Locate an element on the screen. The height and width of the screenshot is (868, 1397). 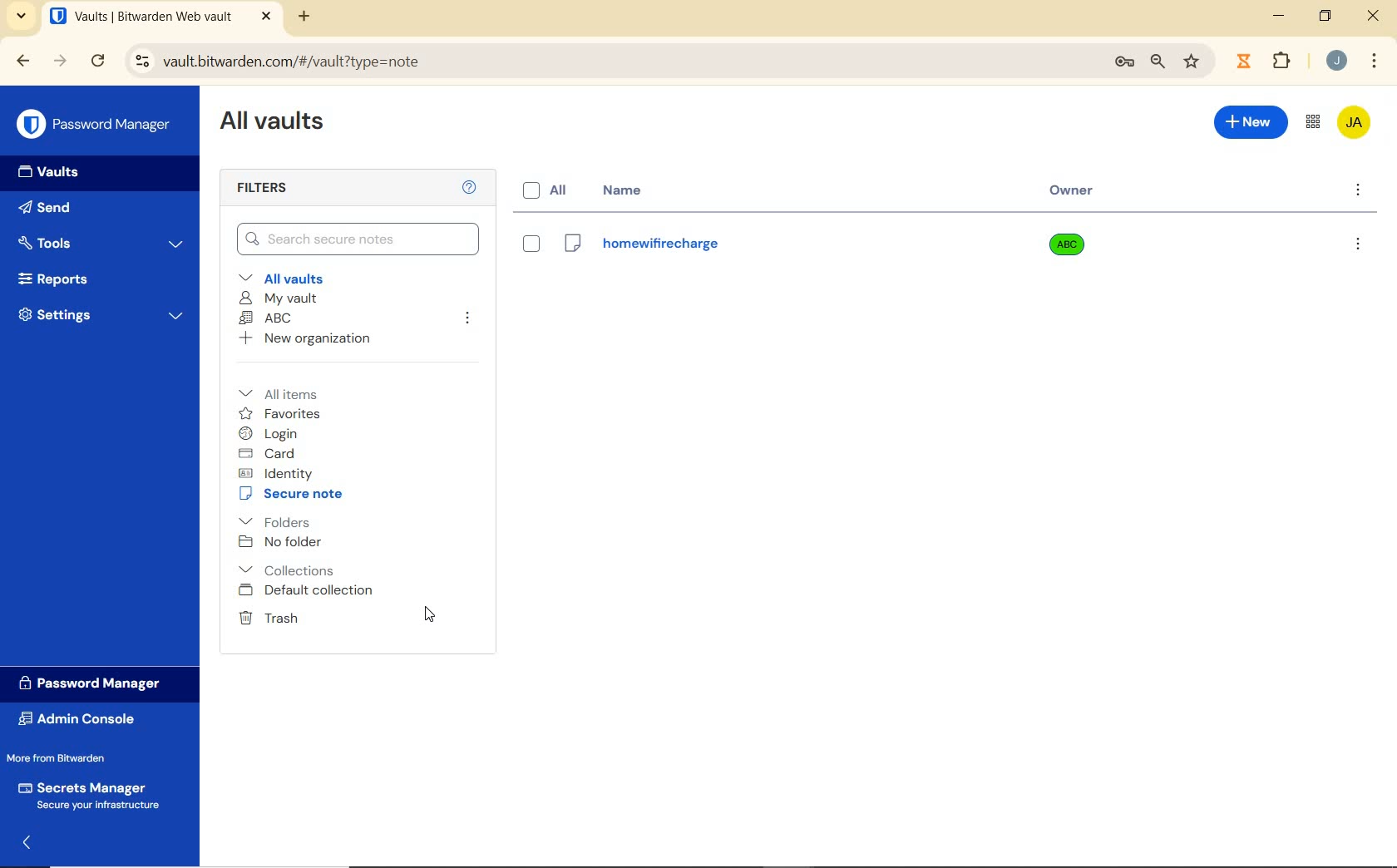
Login Name is located at coordinates (640, 248).